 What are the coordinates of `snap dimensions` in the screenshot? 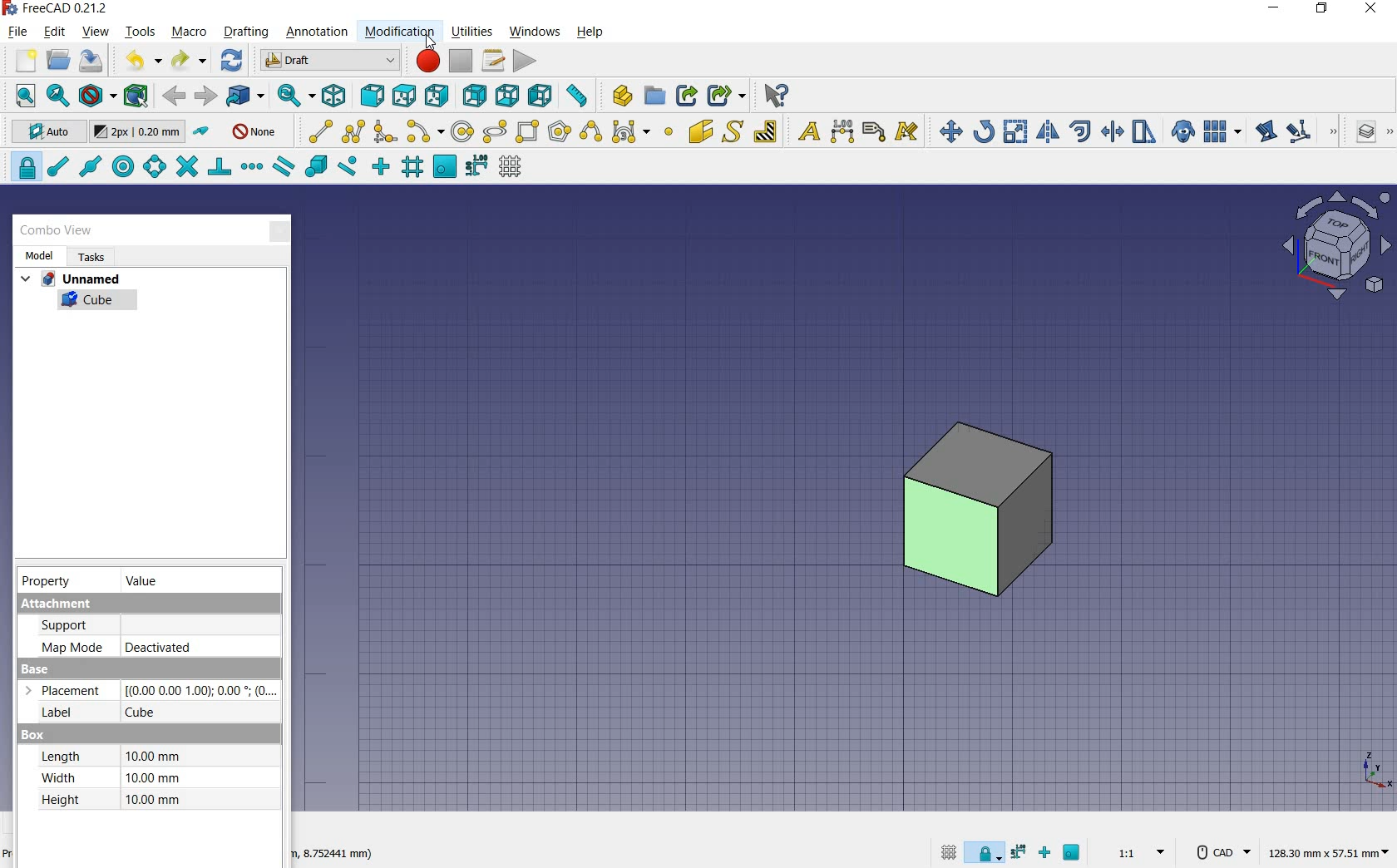 It's located at (1019, 851).